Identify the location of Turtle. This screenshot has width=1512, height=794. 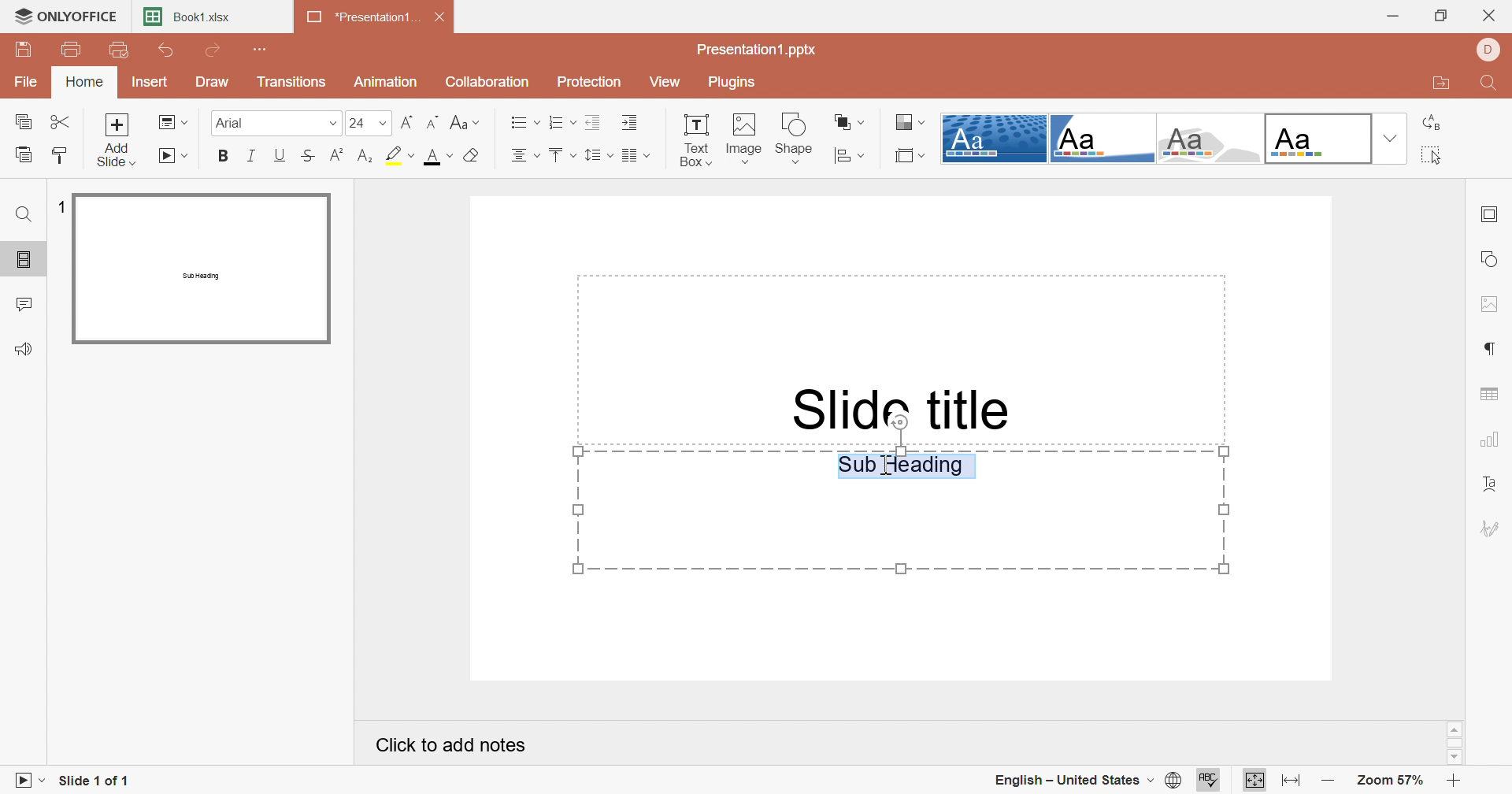
(1210, 139).